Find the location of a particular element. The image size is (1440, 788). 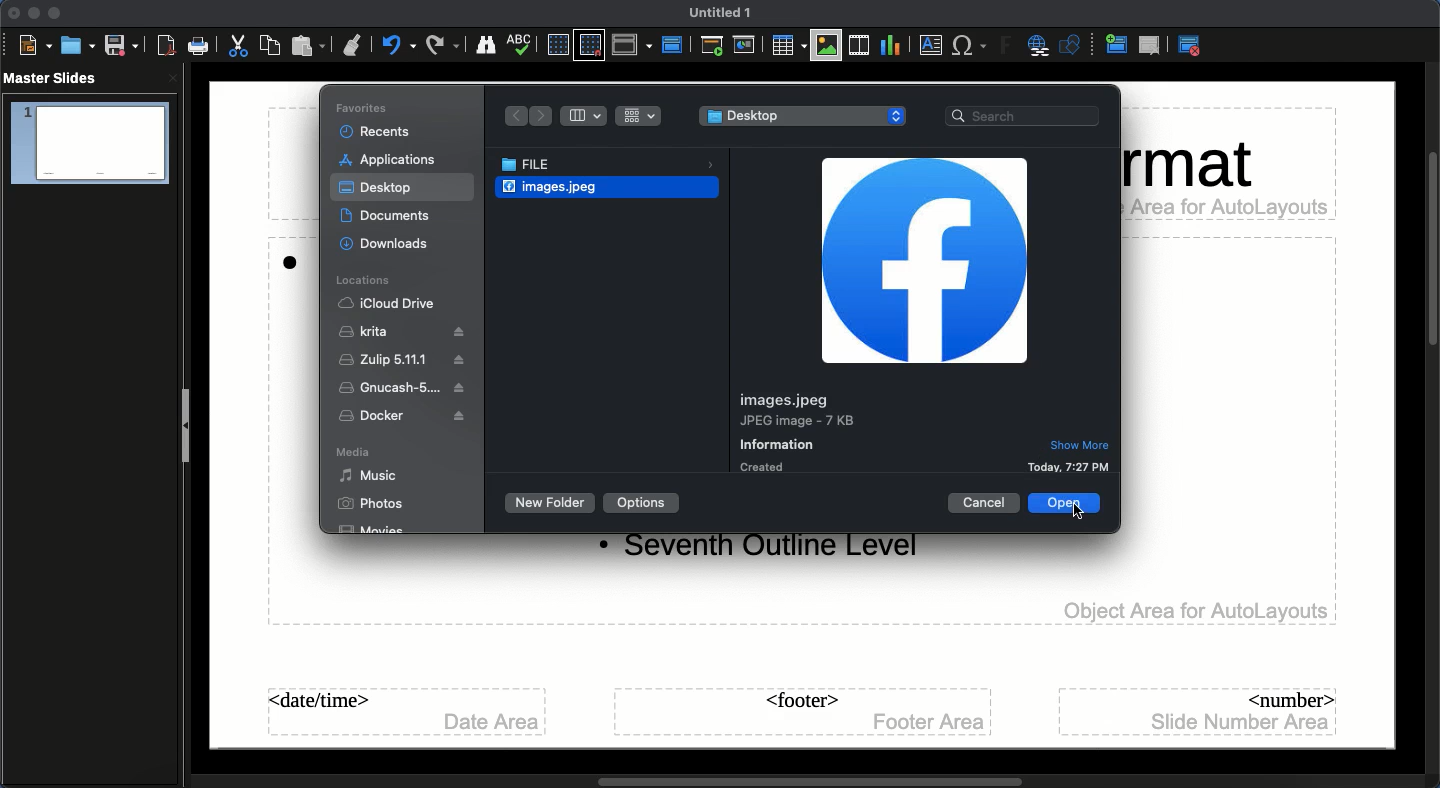

Cancel is located at coordinates (985, 502).